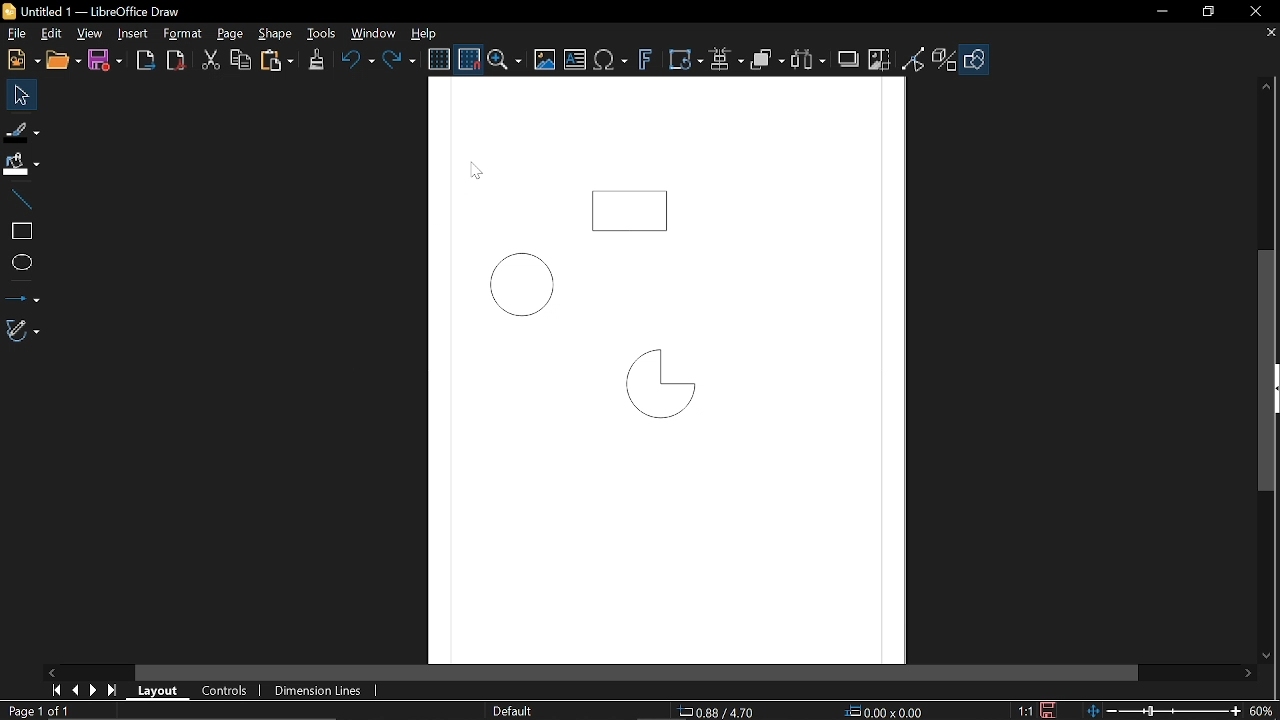 This screenshot has width=1280, height=720. What do you see at coordinates (38, 711) in the screenshot?
I see `Page 1 of 1` at bounding box center [38, 711].